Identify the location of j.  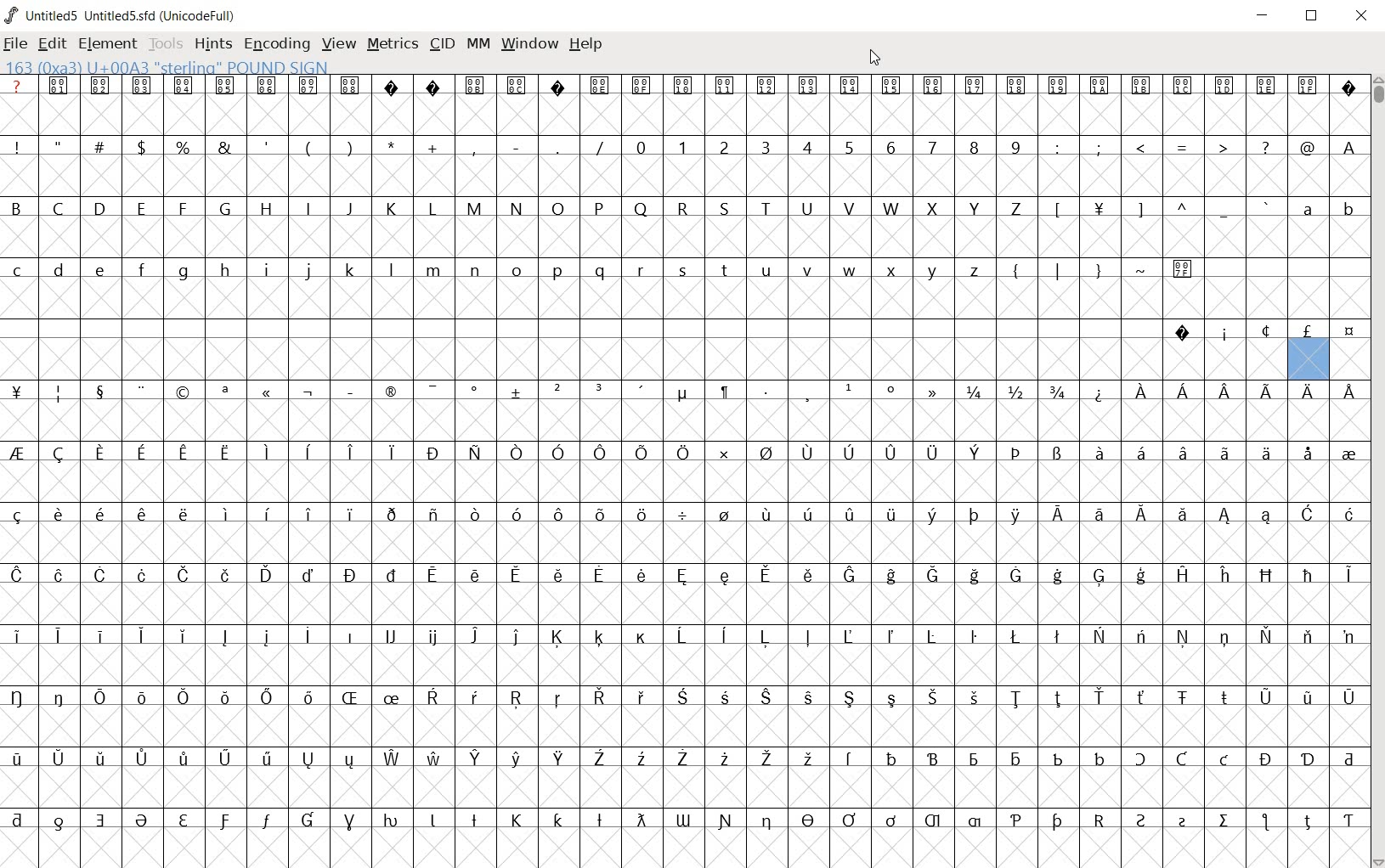
(308, 272).